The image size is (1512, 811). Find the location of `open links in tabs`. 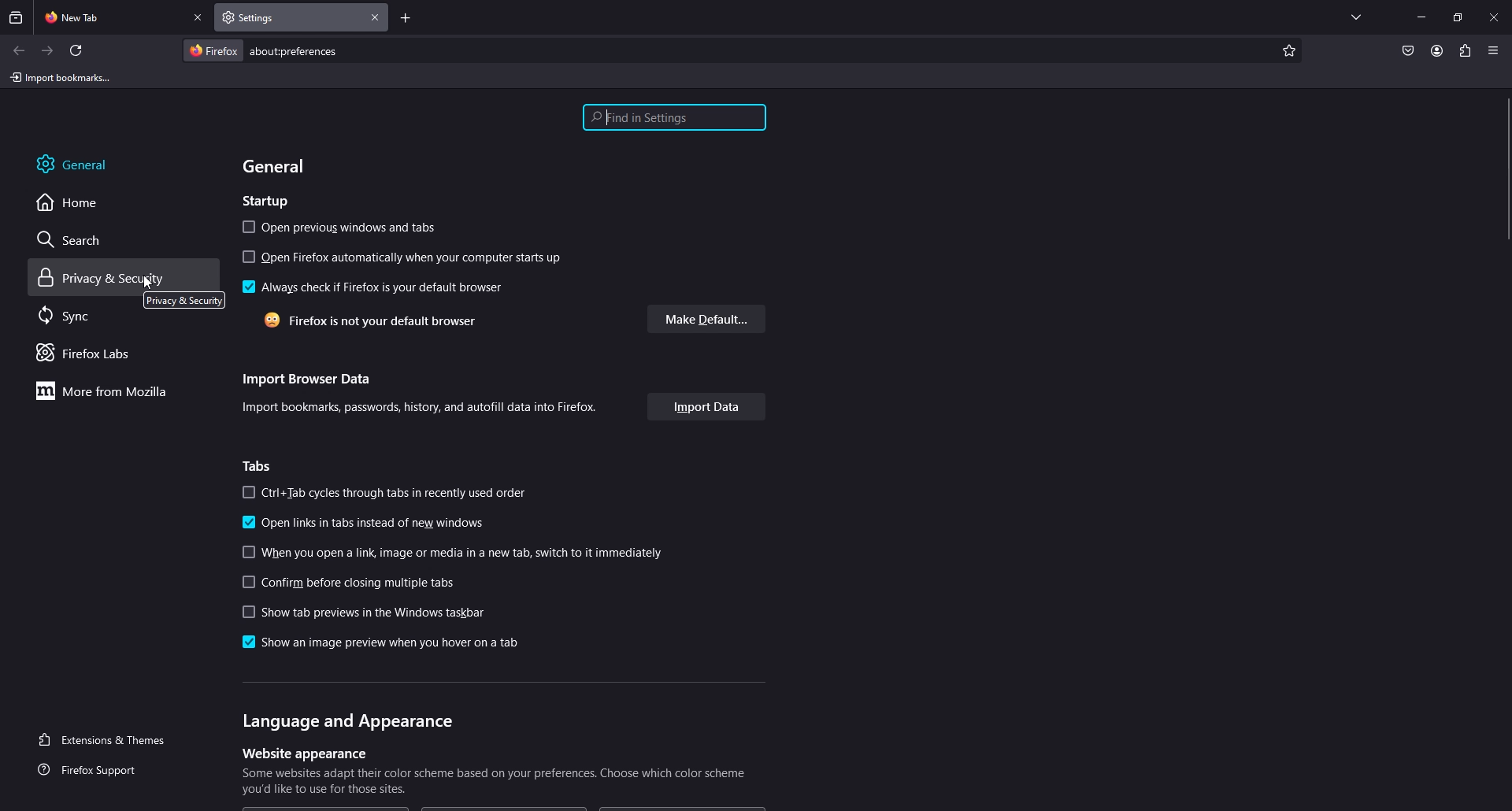

open links in tabs is located at coordinates (369, 523).